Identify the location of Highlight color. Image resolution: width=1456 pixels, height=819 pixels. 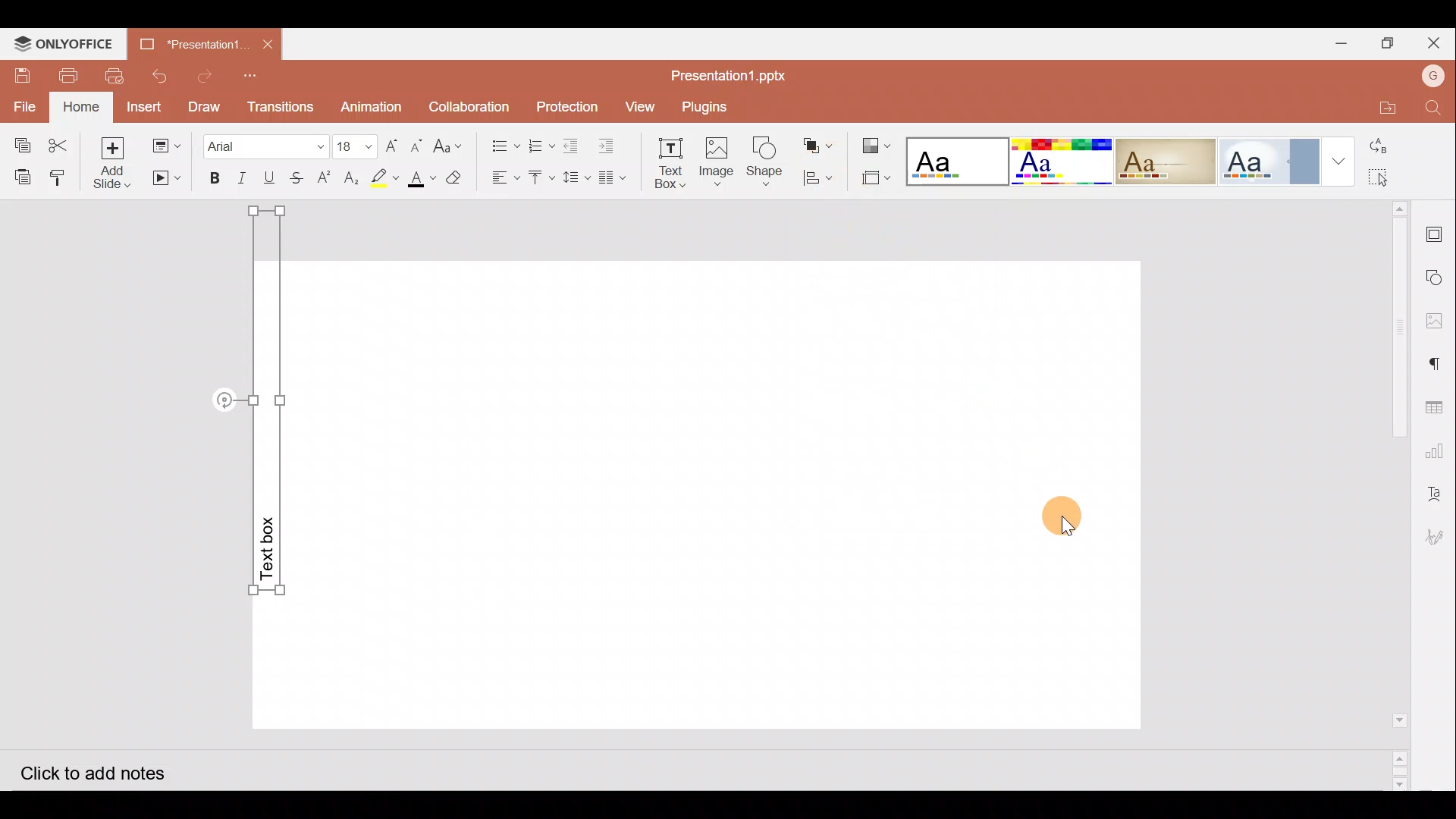
(381, 177).